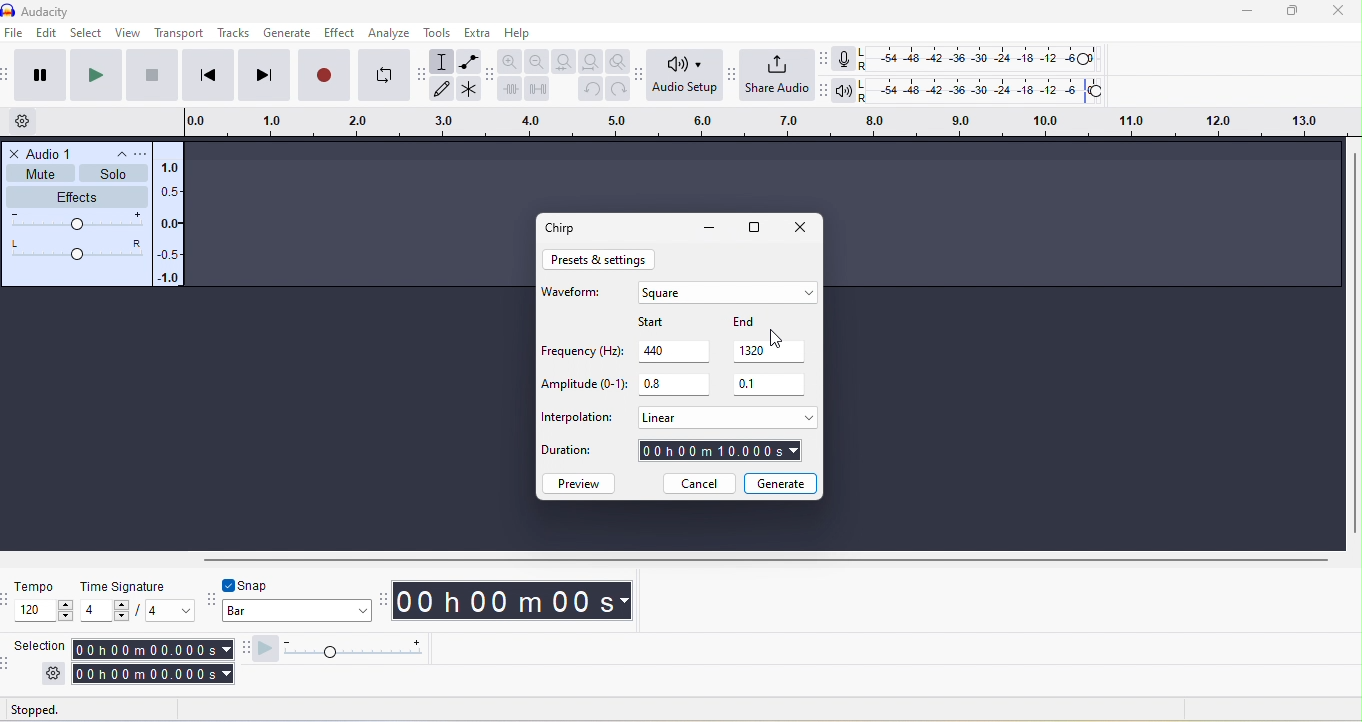 Image resolution: width=1362 pixels, height=722 pixels. Describe the element at coordinates (670, 320) in the screenshot. I see `start` at that location.